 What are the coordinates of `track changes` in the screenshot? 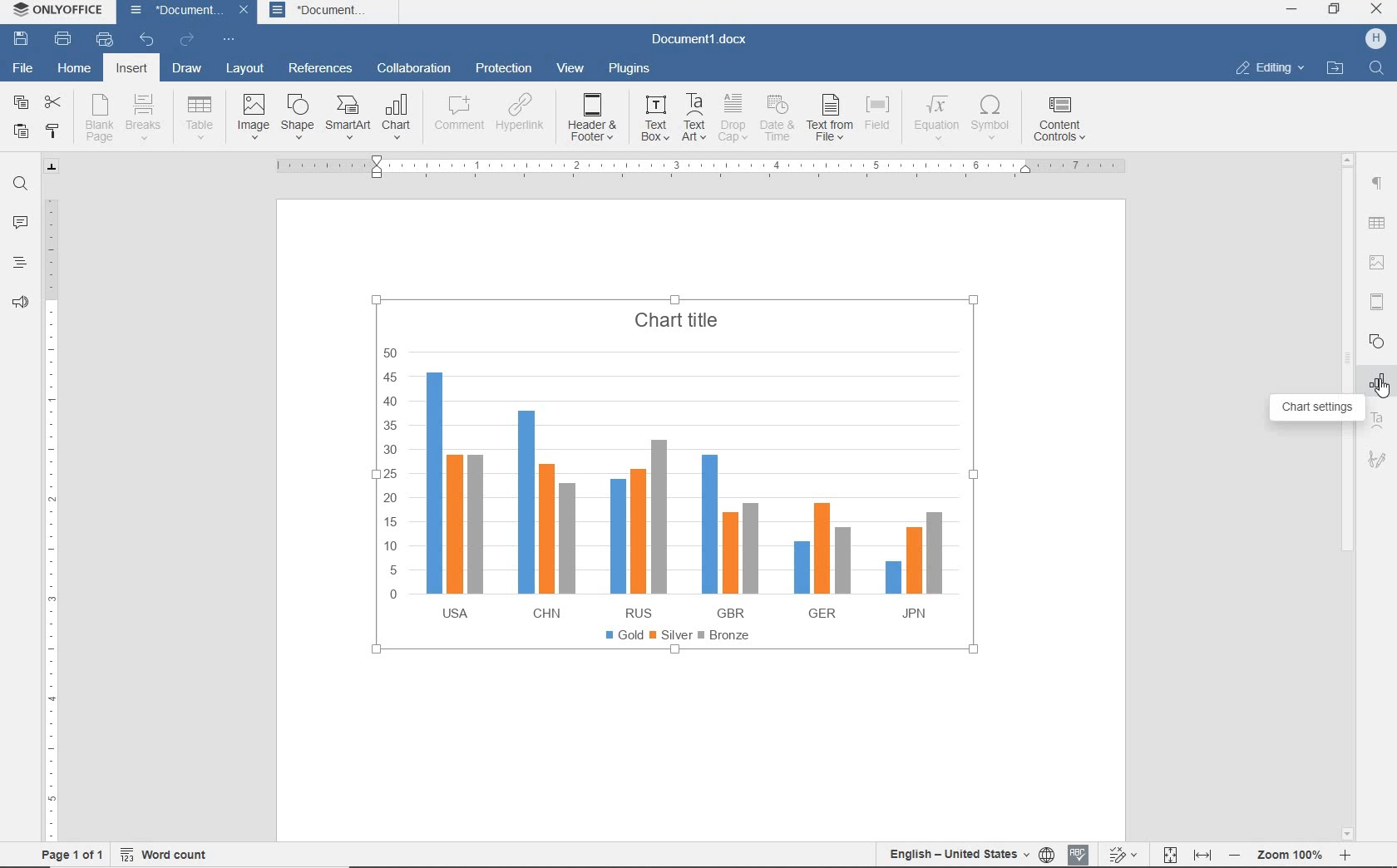 It's located at (1126, 852).